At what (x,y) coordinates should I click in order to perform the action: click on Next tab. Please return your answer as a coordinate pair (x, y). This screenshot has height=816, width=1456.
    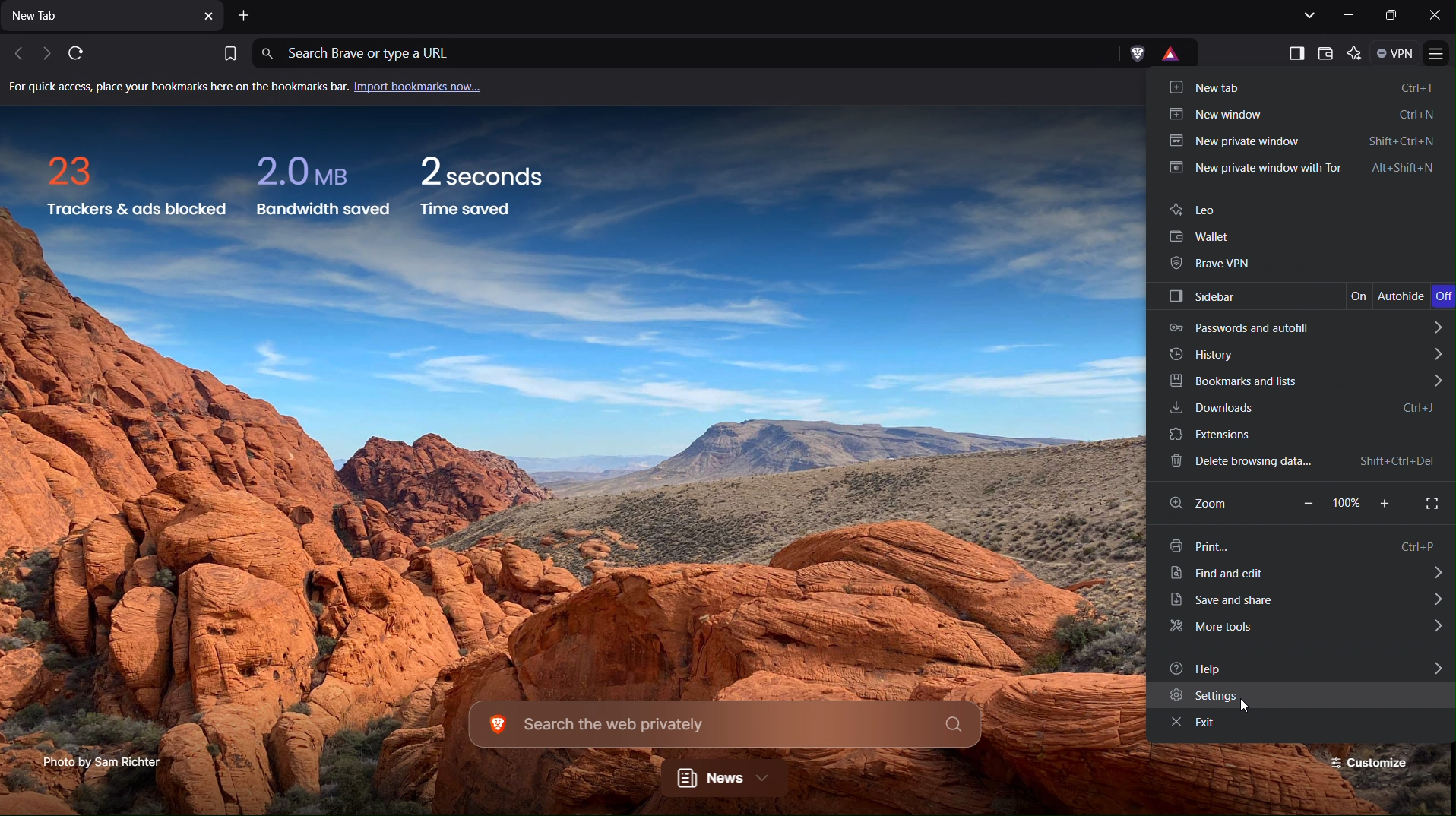
    Looking at the image, I should click on (45, 54).